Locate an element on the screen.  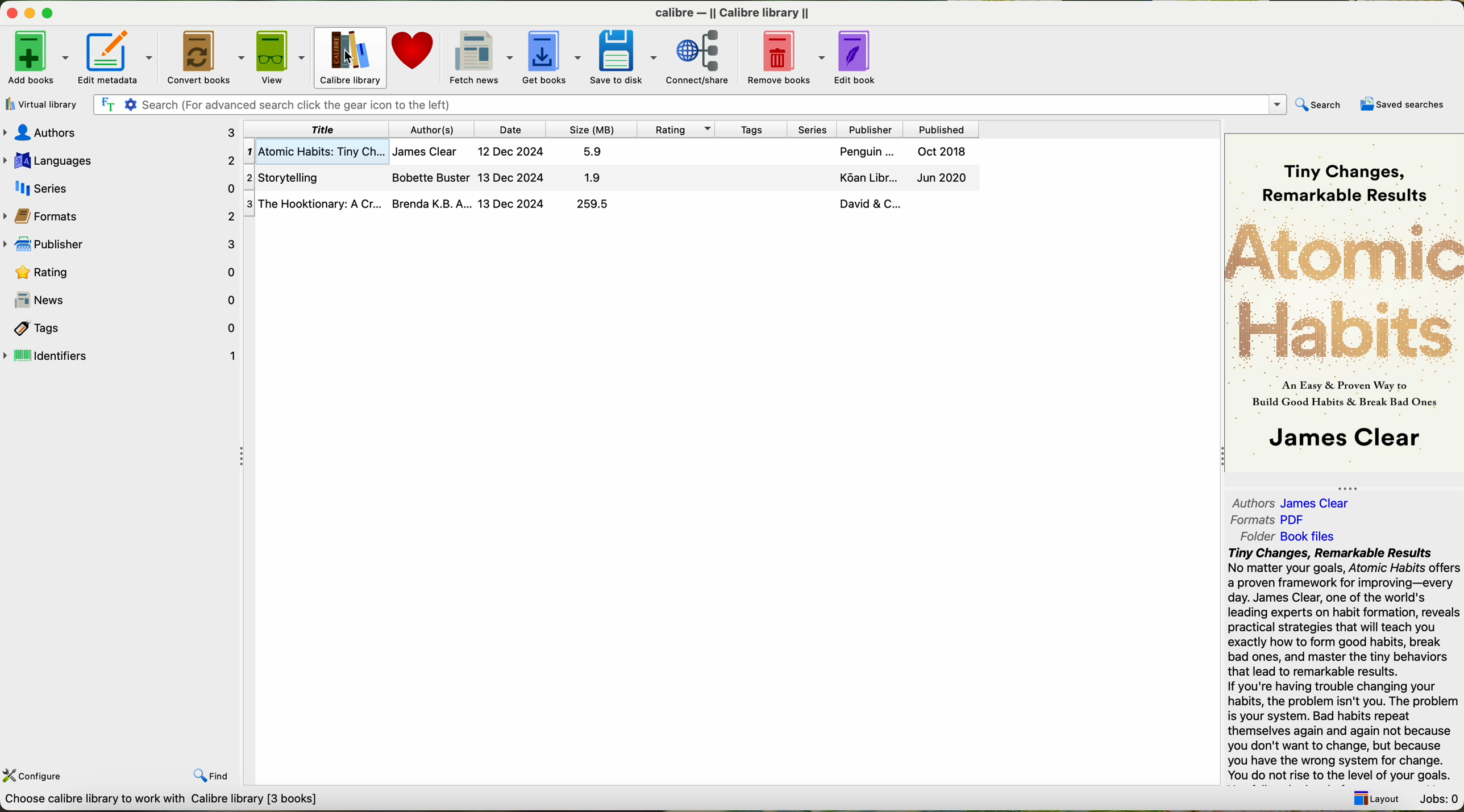
publisher is located at coordinates (868, 129).